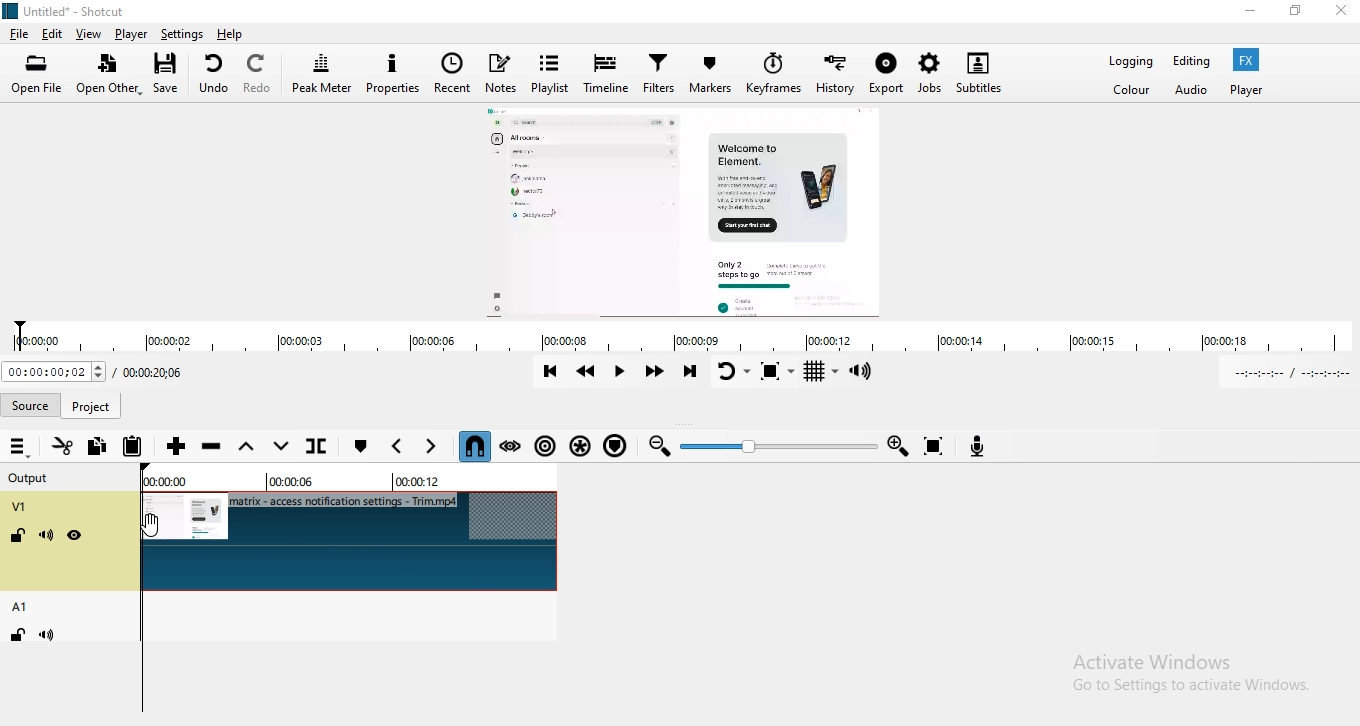  What do you see at coordinates (578, 443) in the screenshot?
I see `` at bounding box center [578, 443].